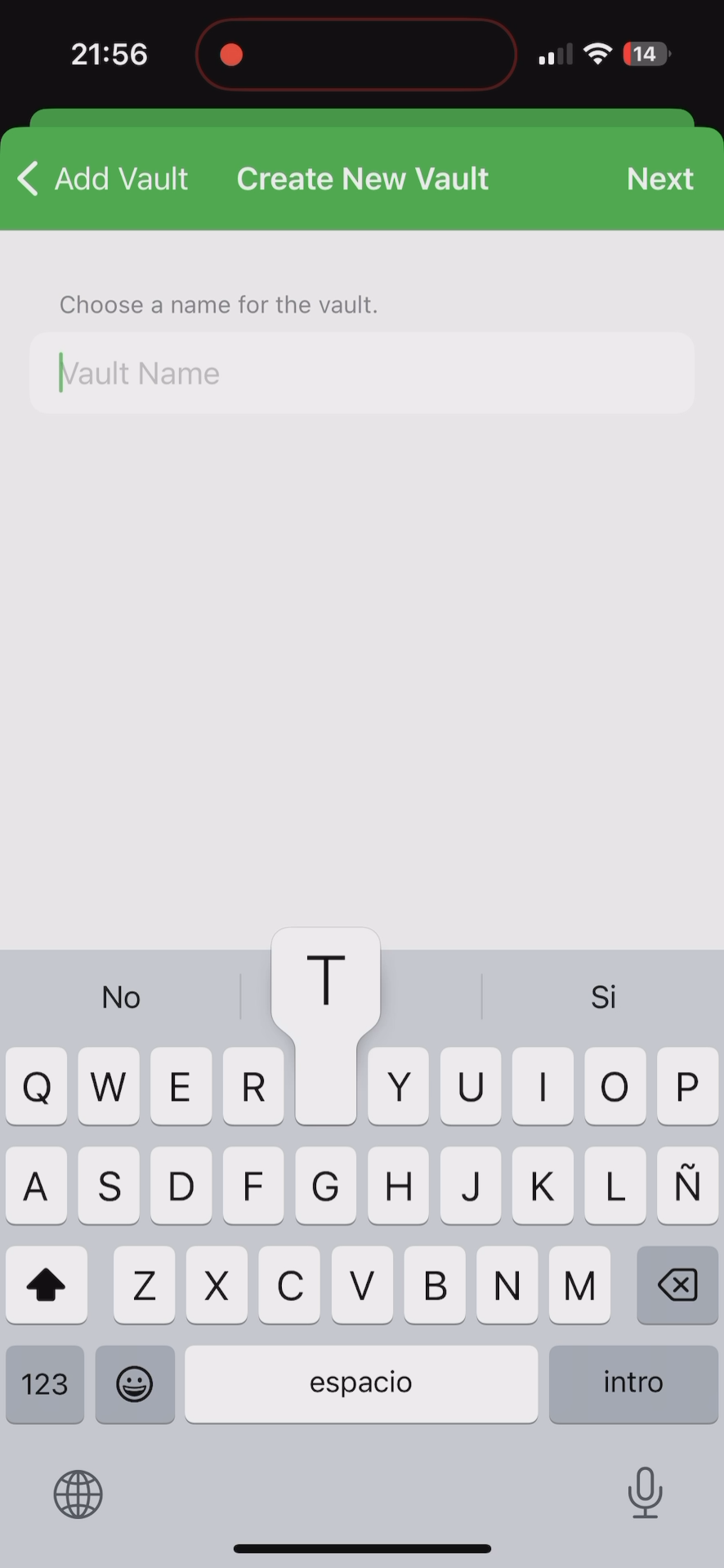 Image resolution: width=724 pixels, height=1568 pixels. What do you see at coordinates (140, 380) in the screenshot?
I see `Vault Name` at bounding box center [140, 380].